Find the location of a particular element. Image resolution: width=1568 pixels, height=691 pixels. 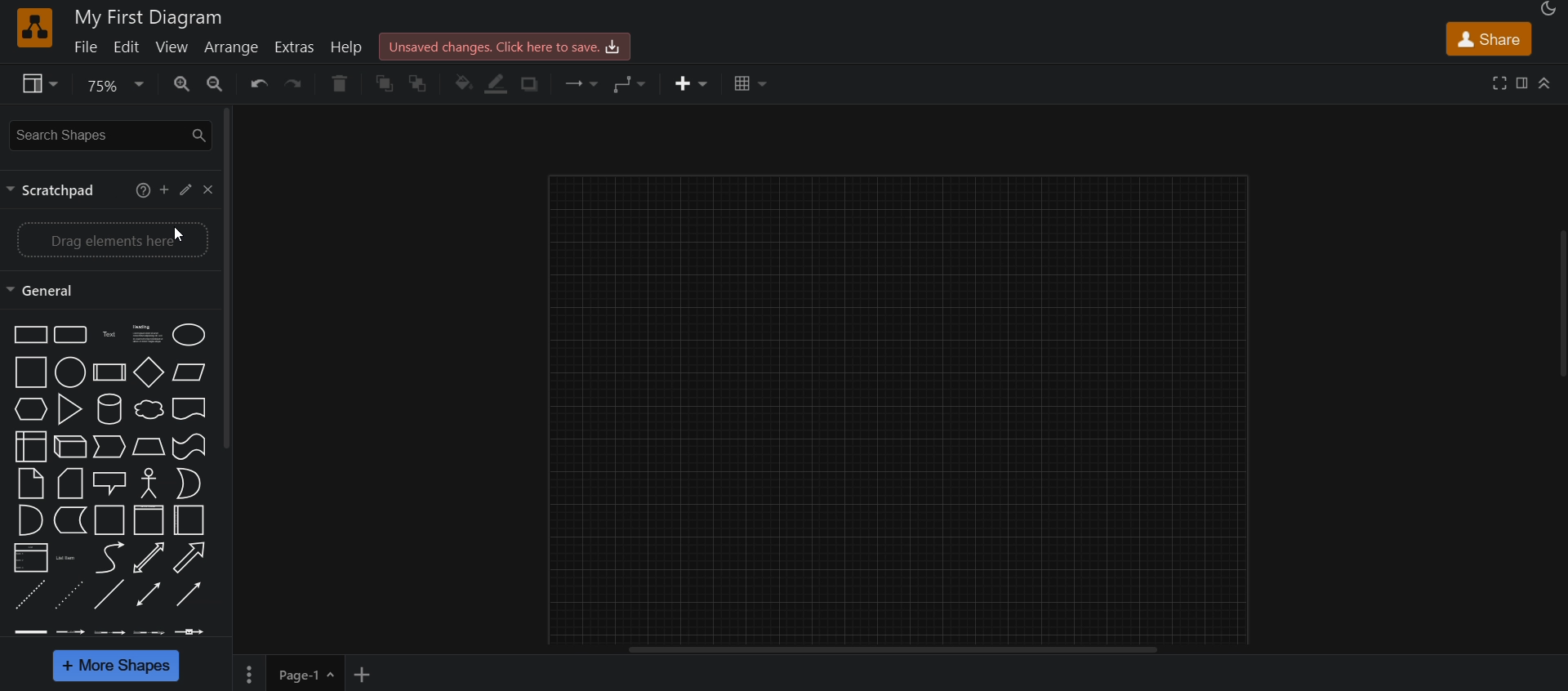

fill color is located at coordinates (464, 84).